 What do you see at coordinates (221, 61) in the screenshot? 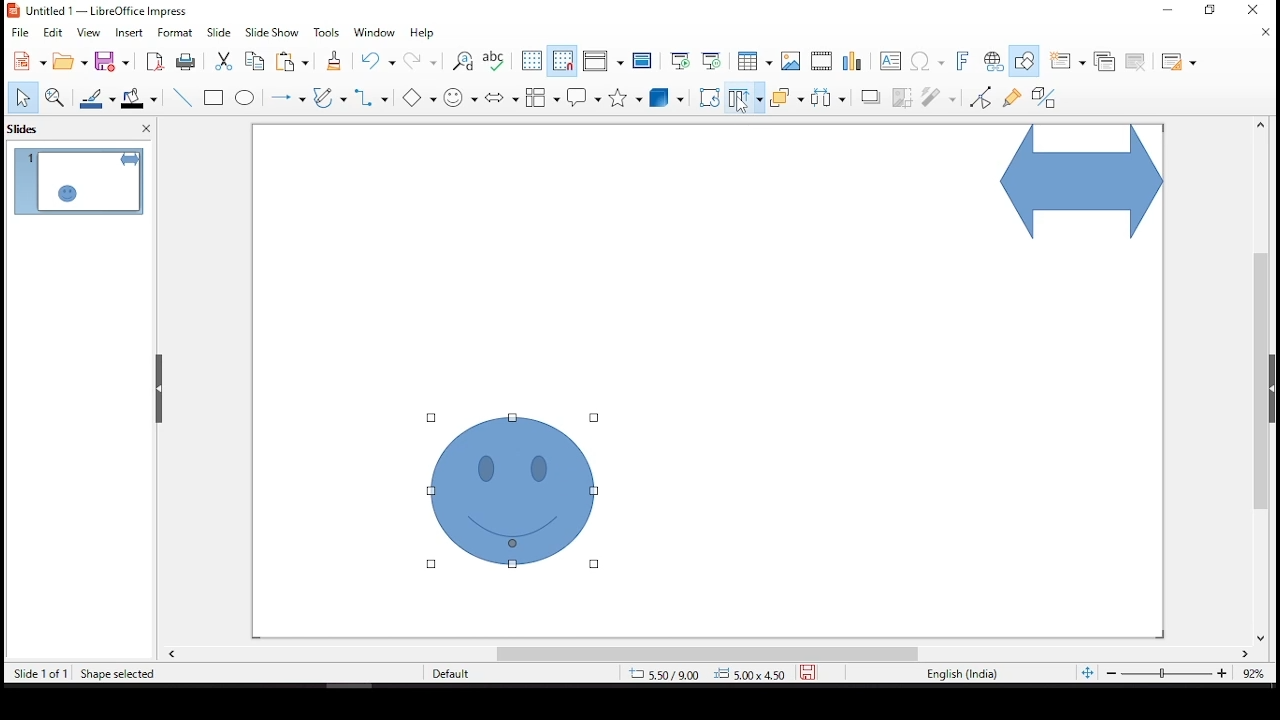
I see `cut` at bounding box center [221, 61].